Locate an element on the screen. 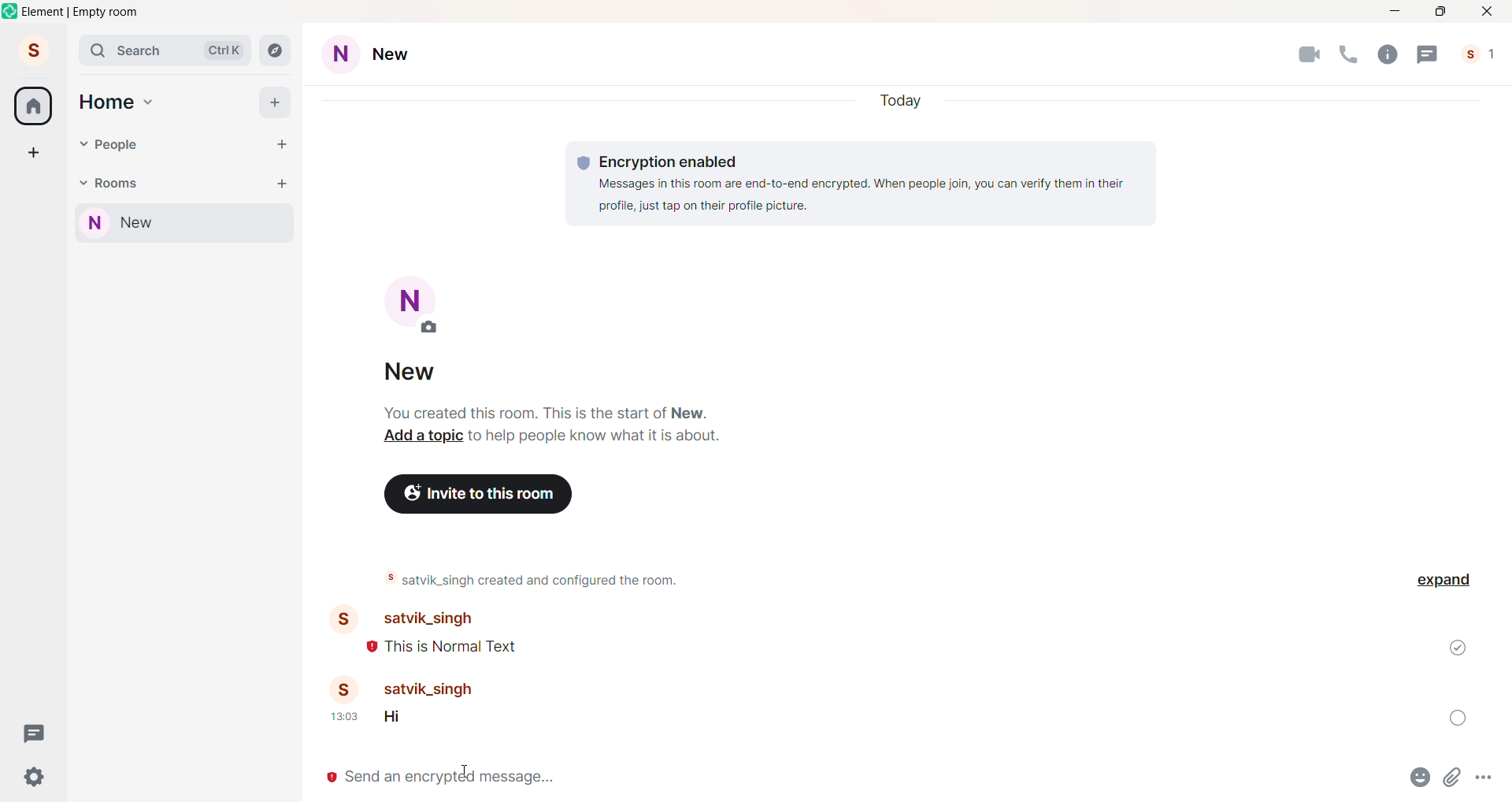  Expand is located at coordinates (1445, 580).